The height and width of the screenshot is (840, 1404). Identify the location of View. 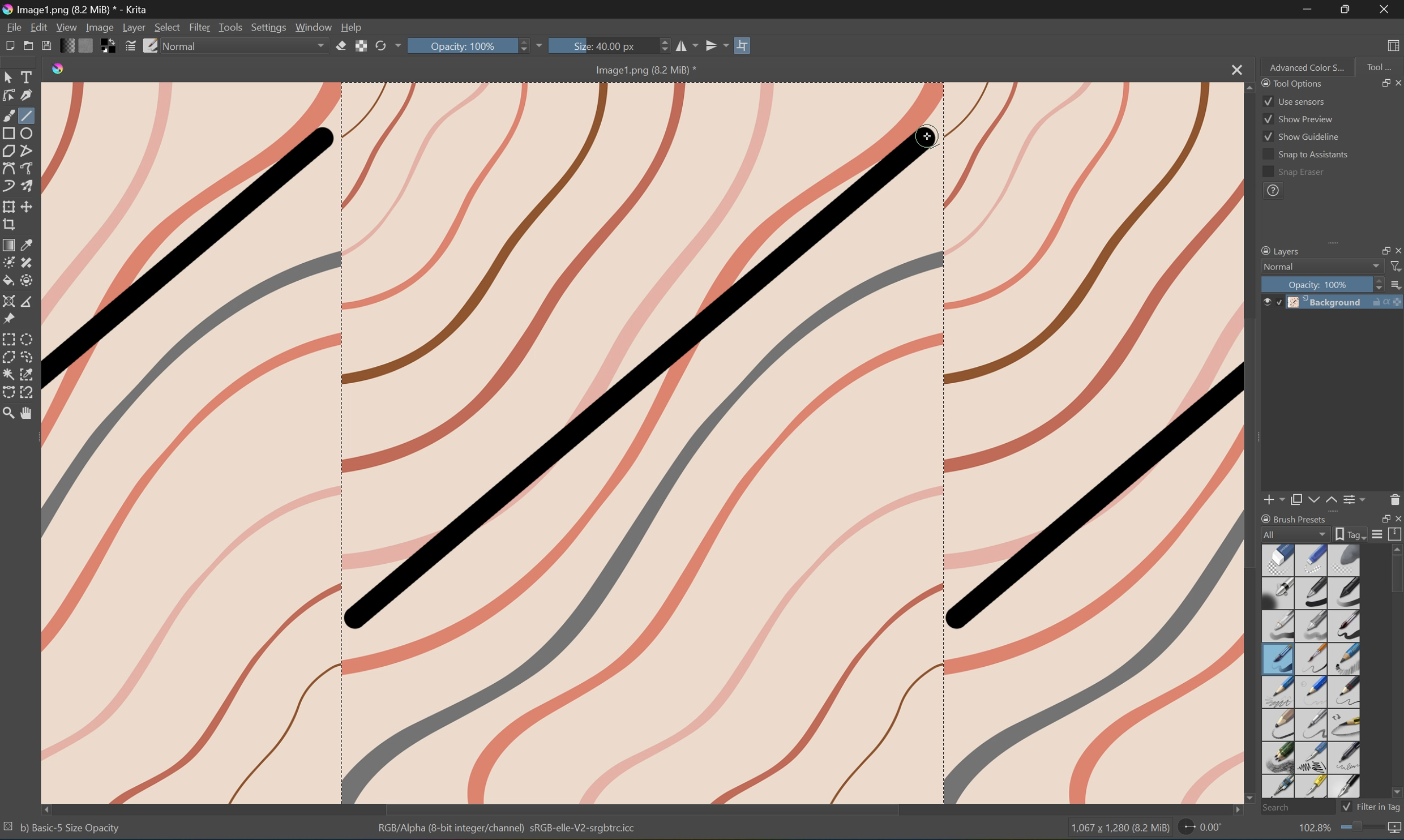
(66, 27).